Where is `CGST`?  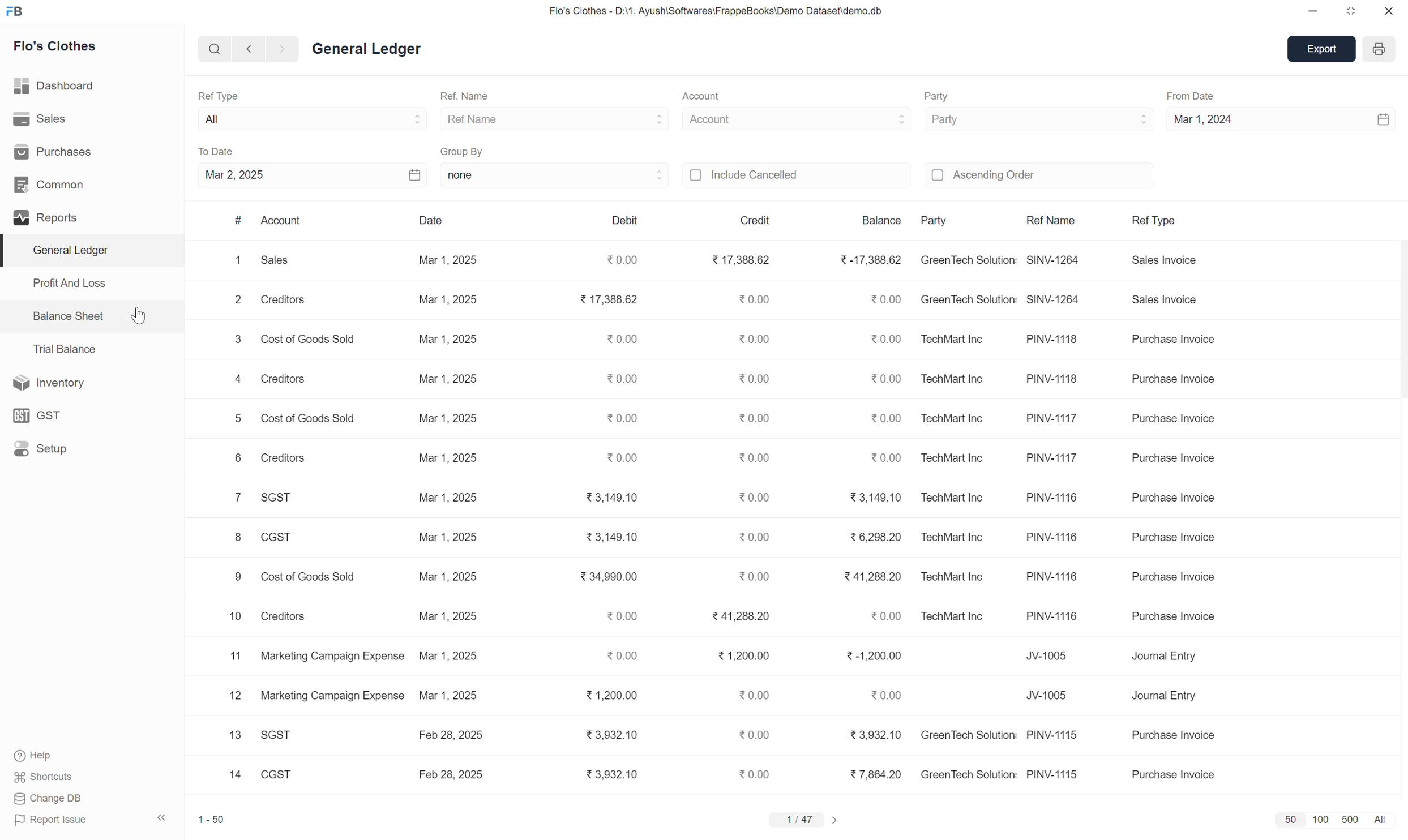
CGST is located at coordinates (277, 774).